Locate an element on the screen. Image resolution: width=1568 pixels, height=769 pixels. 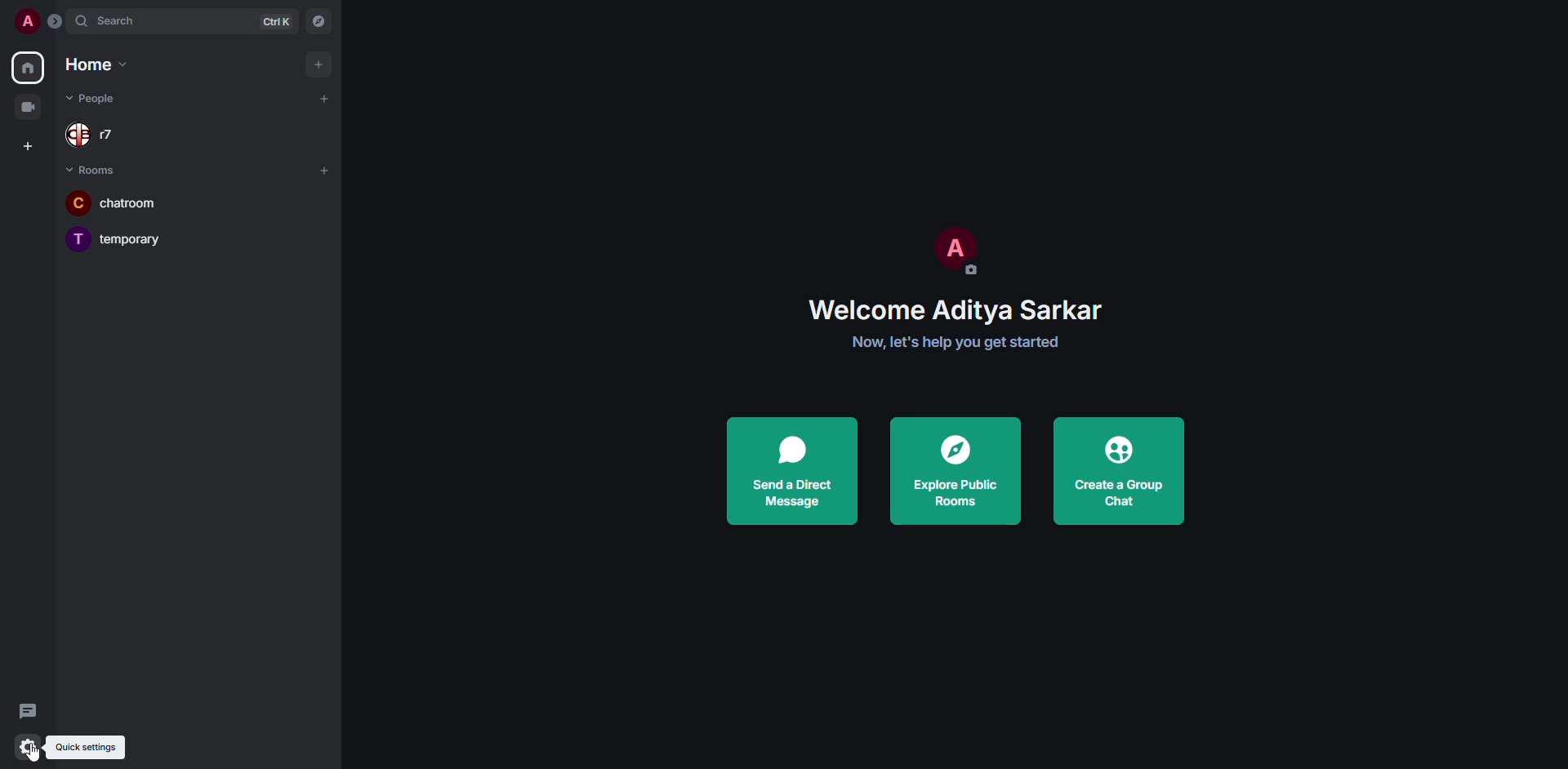
home is located at coordinates (28, 68).